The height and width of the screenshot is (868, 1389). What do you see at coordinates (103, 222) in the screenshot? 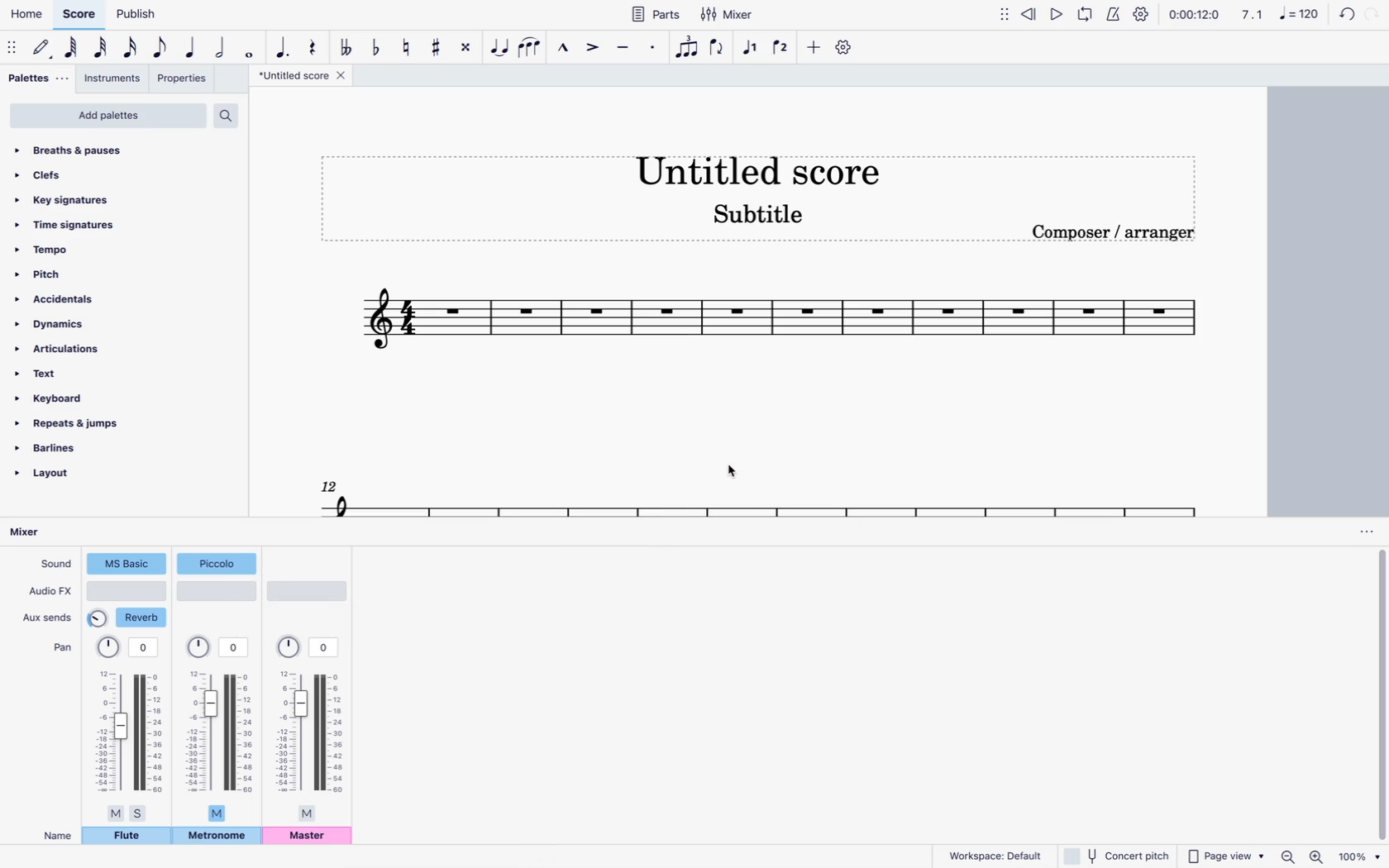
I see `time signatures` at bounding box center [103, 222].